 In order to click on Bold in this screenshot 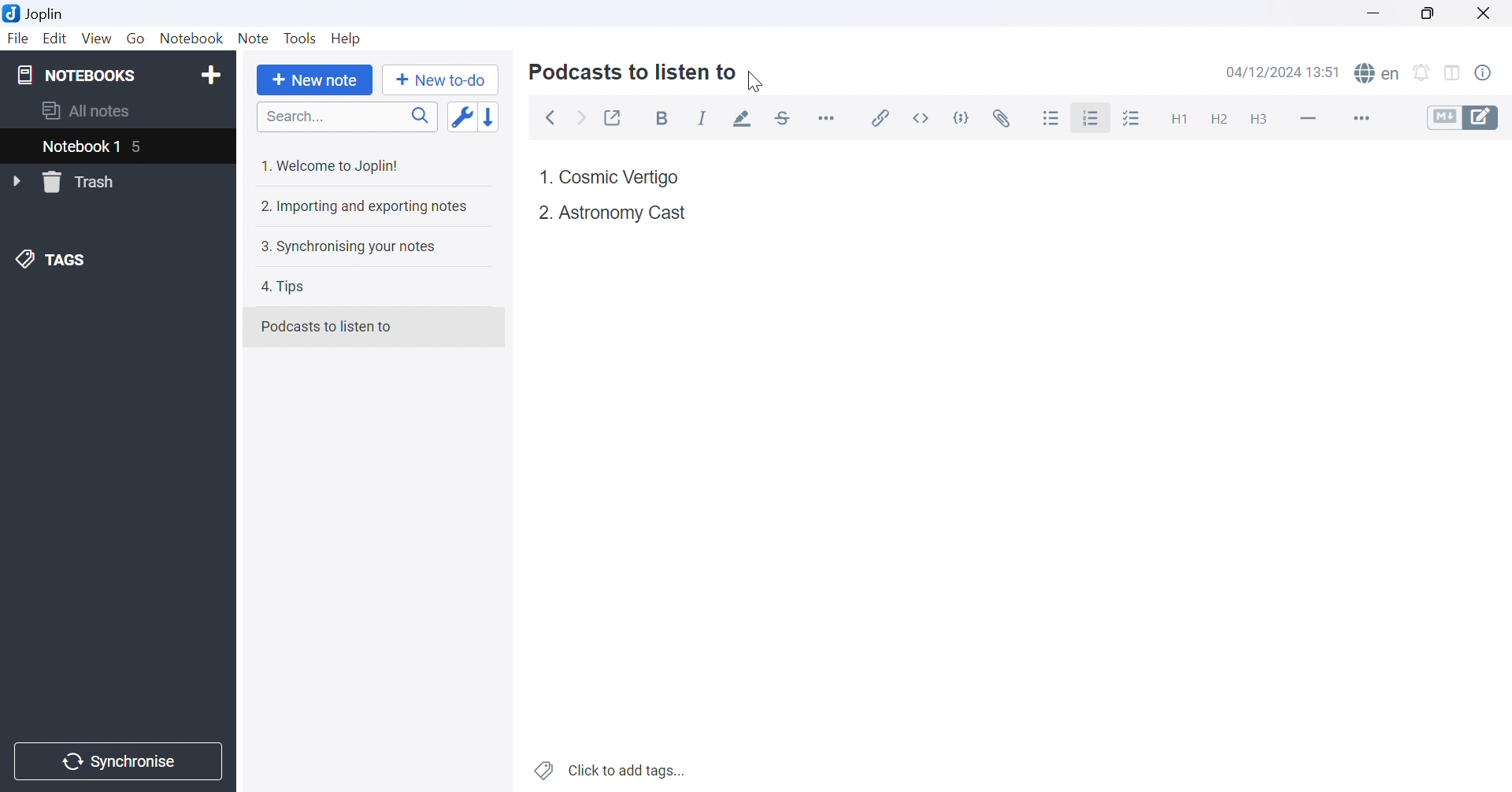, I will do `click(665, 119)`.